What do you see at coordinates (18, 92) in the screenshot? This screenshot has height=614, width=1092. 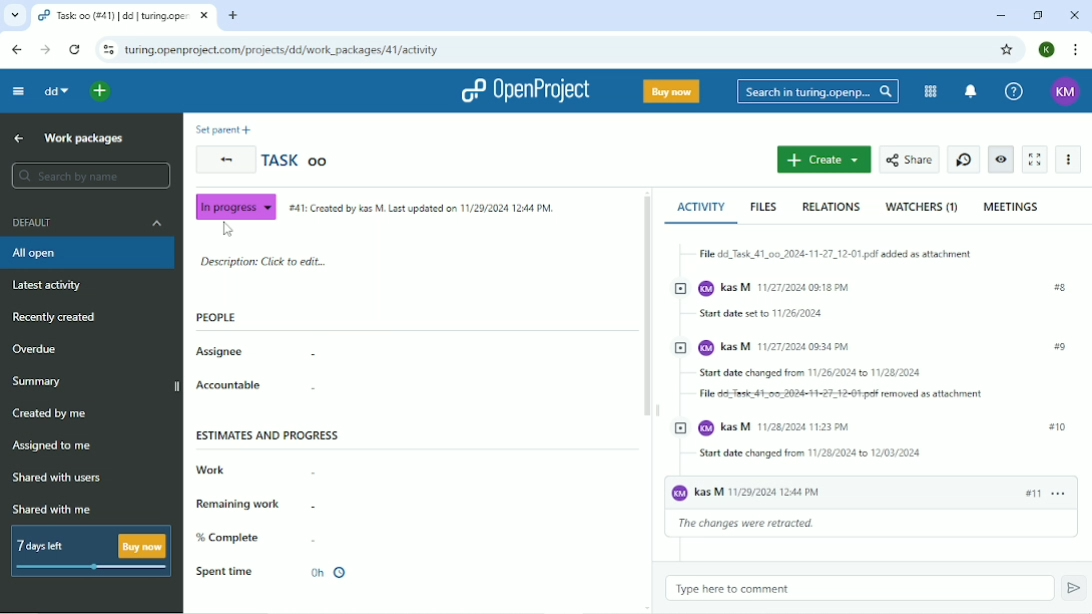 I see `Collapse project menu` at bounding box center [18, 92].